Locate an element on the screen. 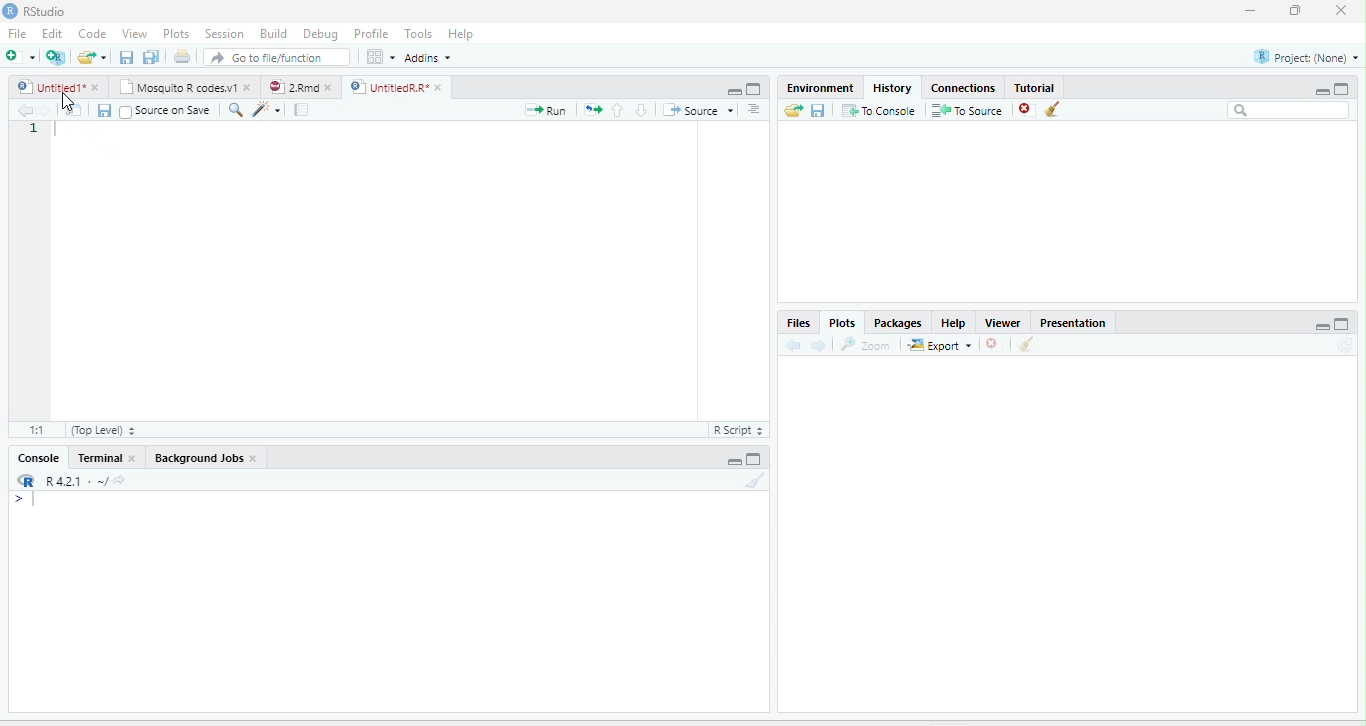  Open recent files is located at coordinates (104, 57).